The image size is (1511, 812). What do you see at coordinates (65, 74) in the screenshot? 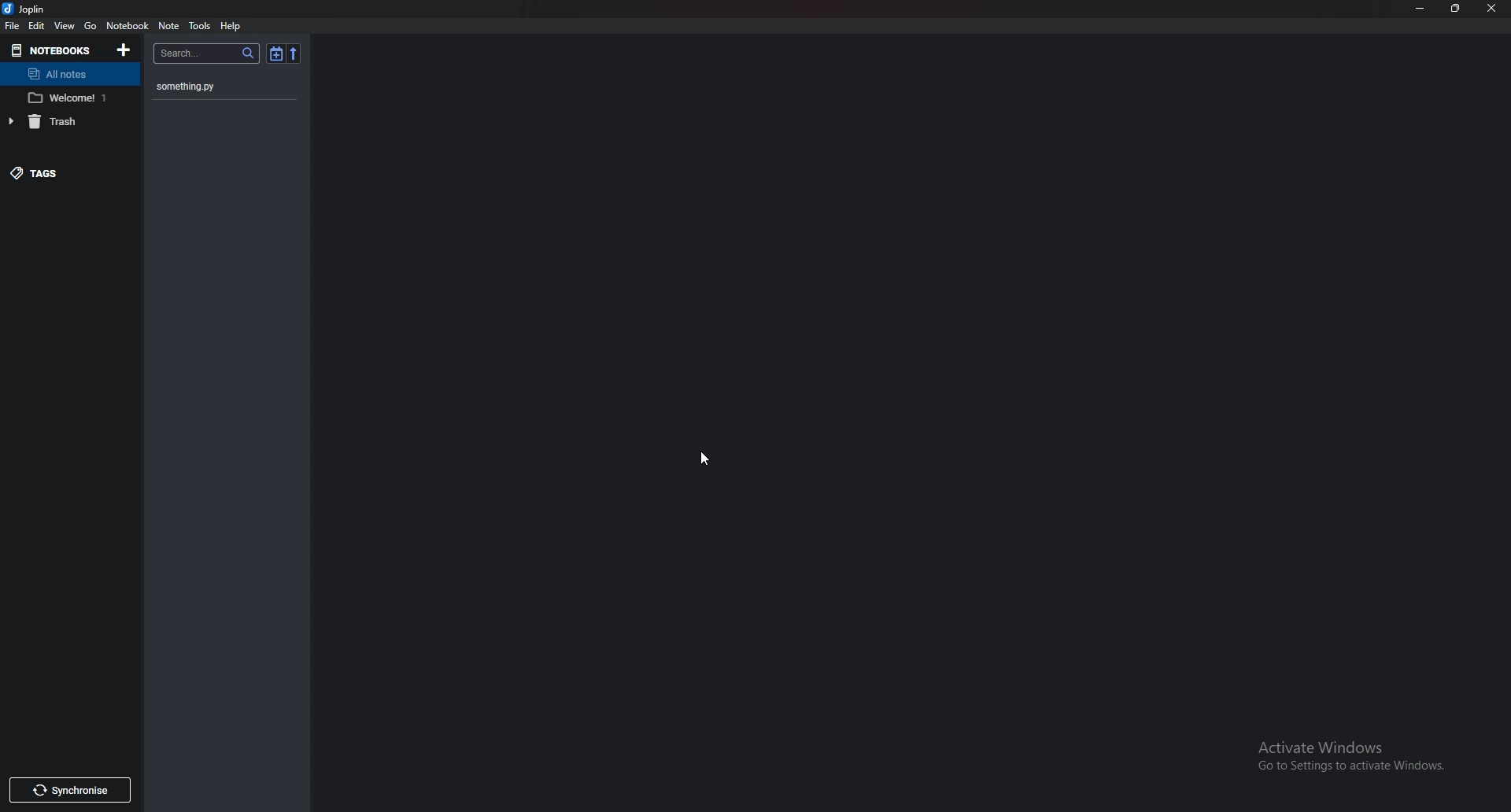
I see `All notes` at bounding box center [65, 74].